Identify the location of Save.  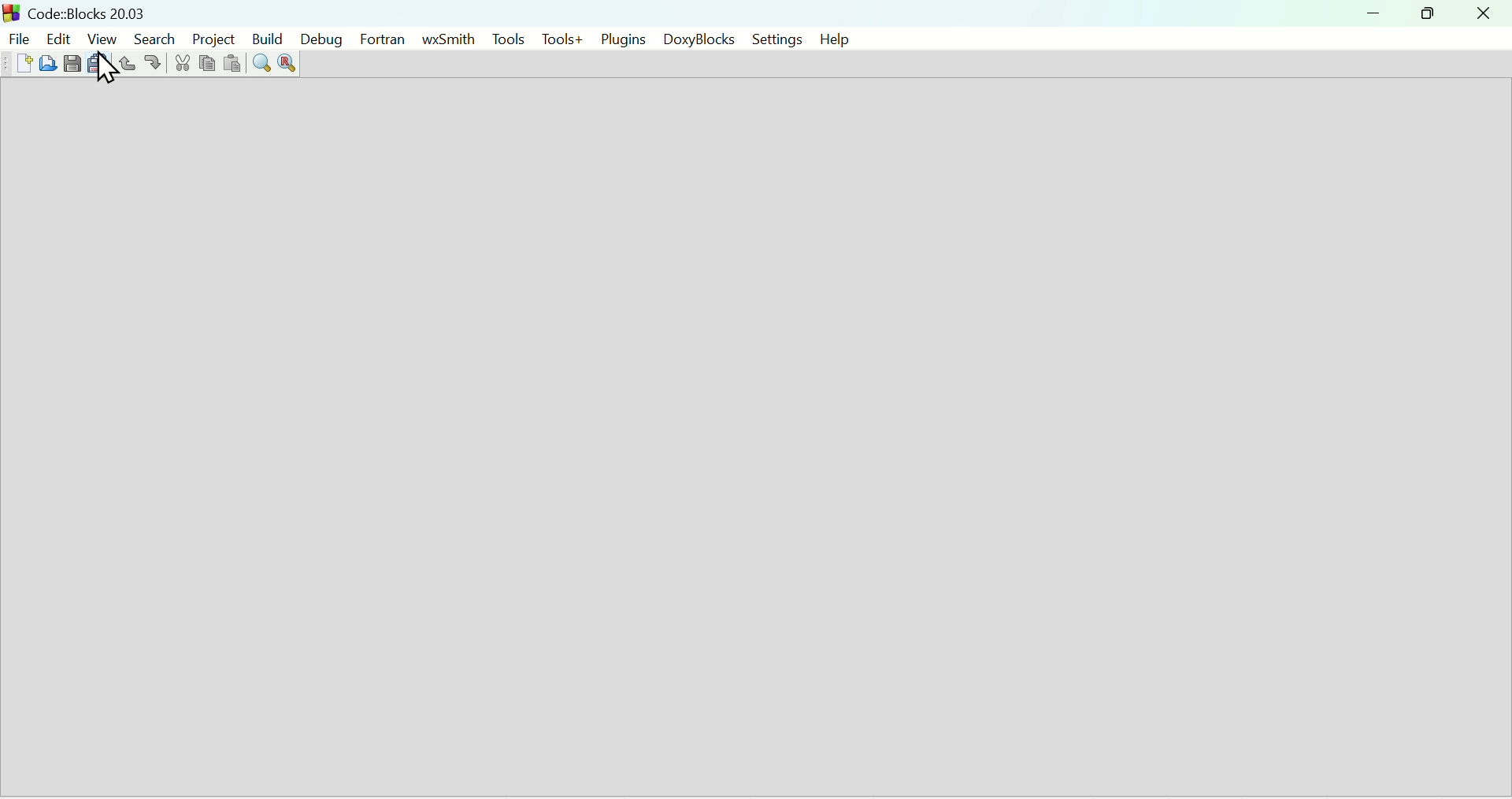
(72, 63).